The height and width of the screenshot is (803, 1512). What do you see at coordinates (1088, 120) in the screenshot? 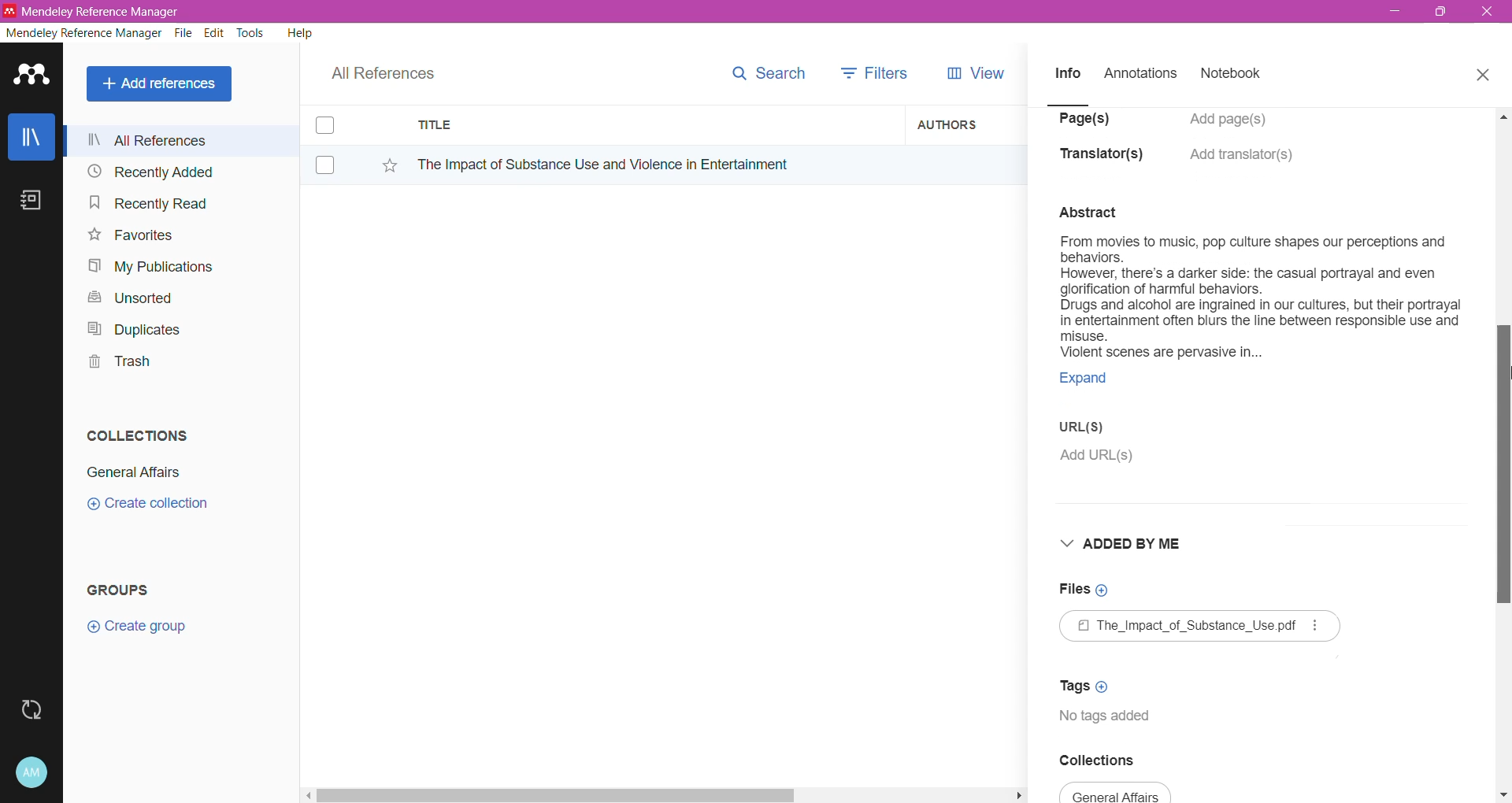
I see `pages` at bounding box center [1088, 120].